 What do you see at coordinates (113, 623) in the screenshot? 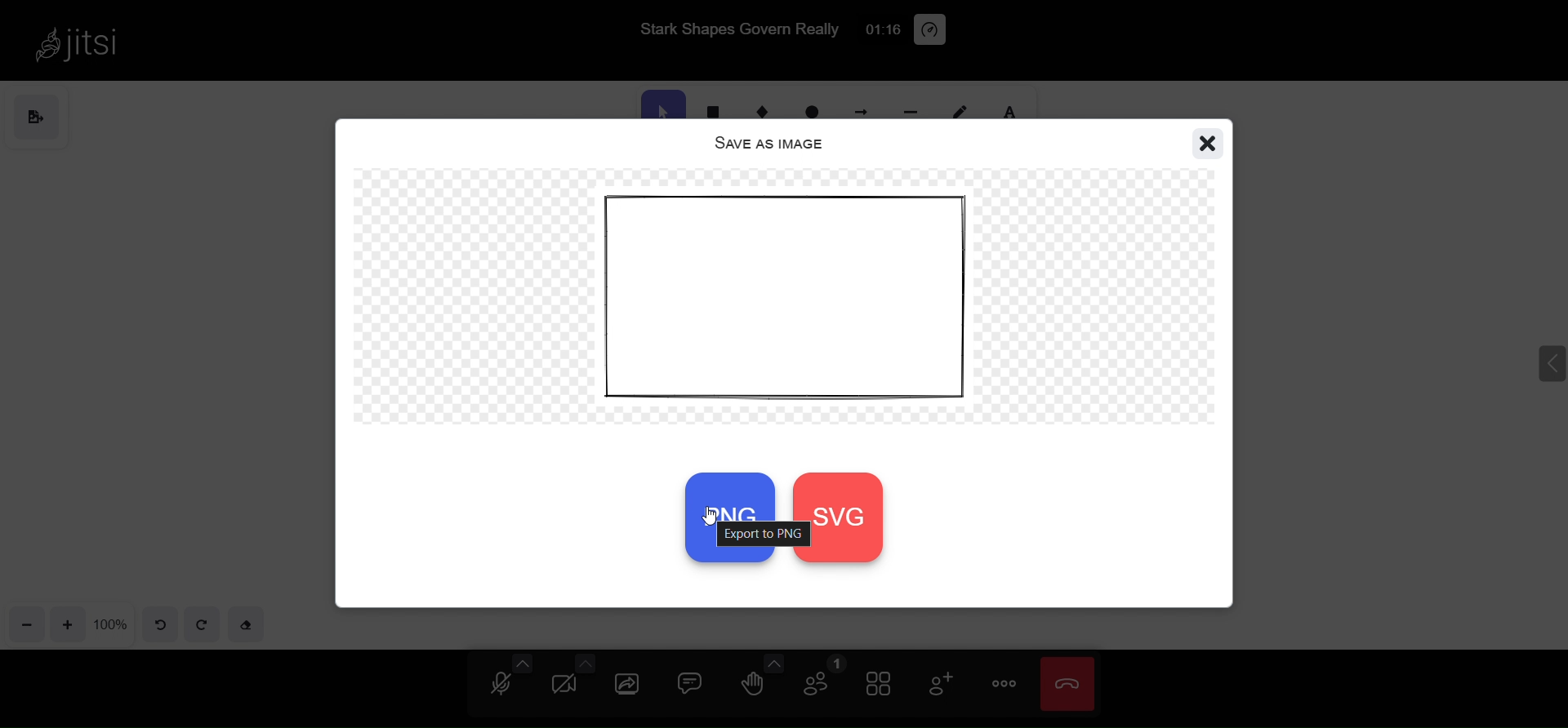
I see `zoom percentage` at bounding box center [113, 623].